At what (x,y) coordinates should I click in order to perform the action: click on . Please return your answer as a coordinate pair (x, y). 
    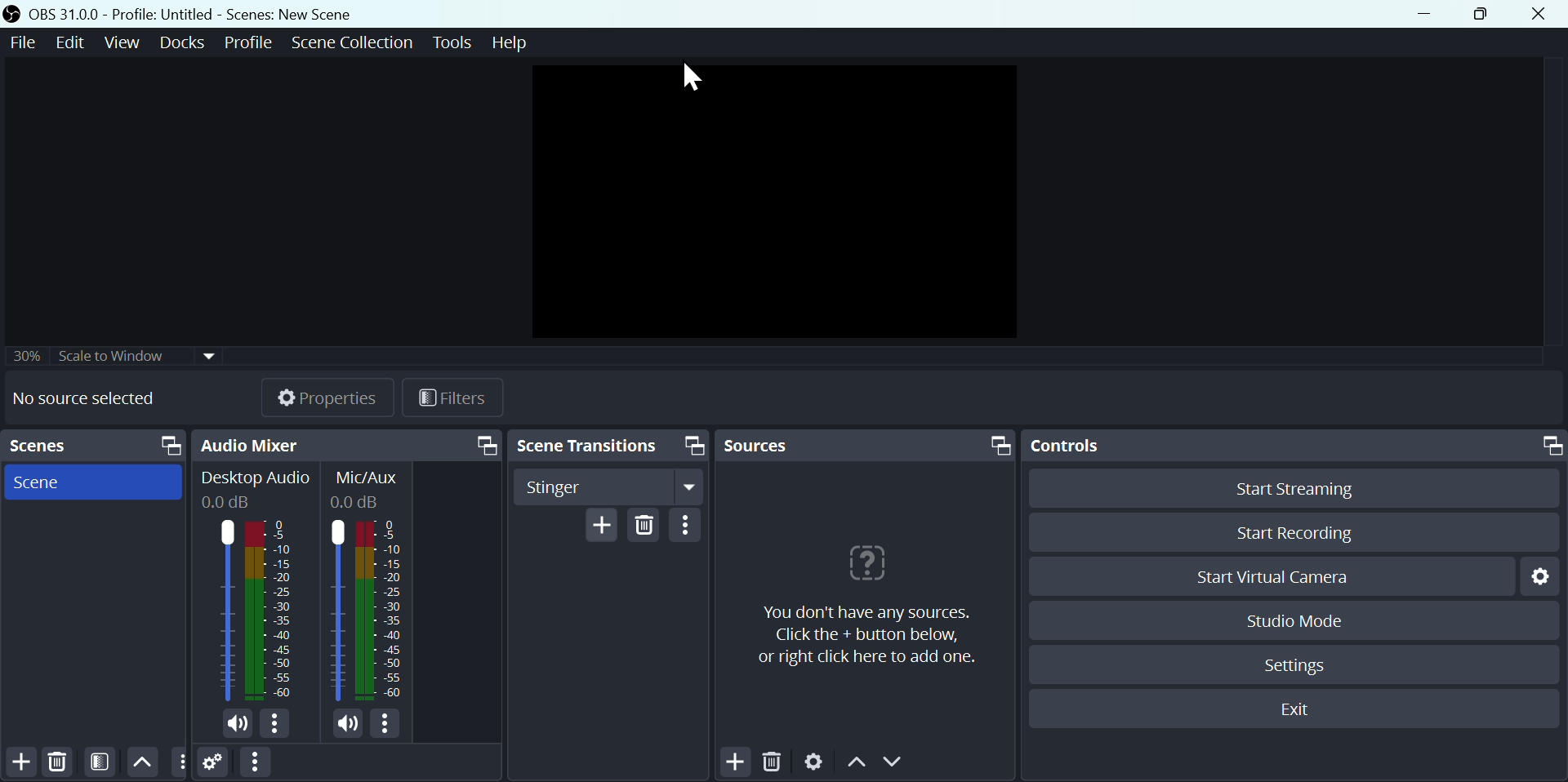
    Looking at the image, I should click on (125, 42).